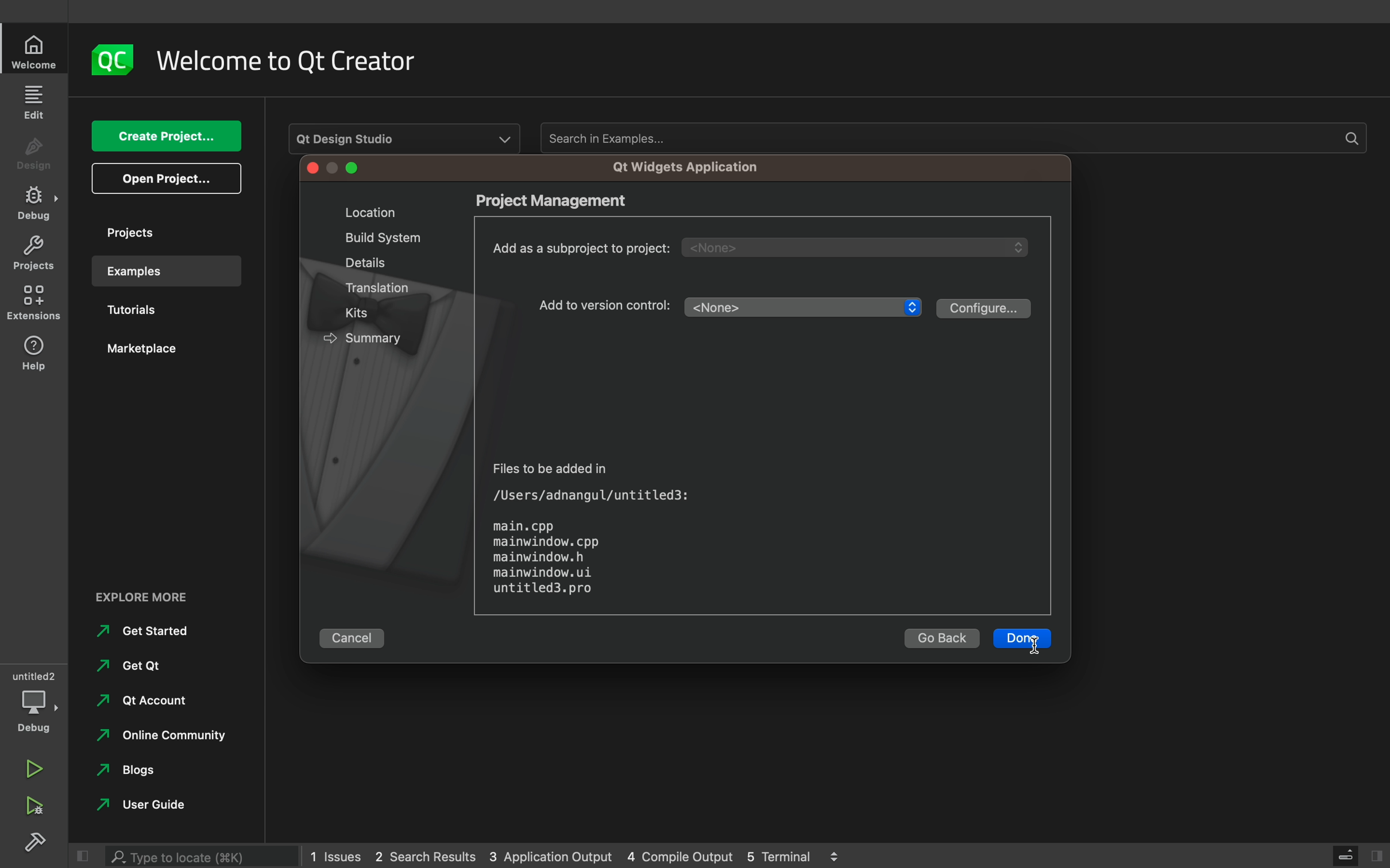 Image resolution: width=1390 pixels, height=868 pixels. Describe the element at coordinates (682, 857) in the screenshot. I see `4 console output` at that location.